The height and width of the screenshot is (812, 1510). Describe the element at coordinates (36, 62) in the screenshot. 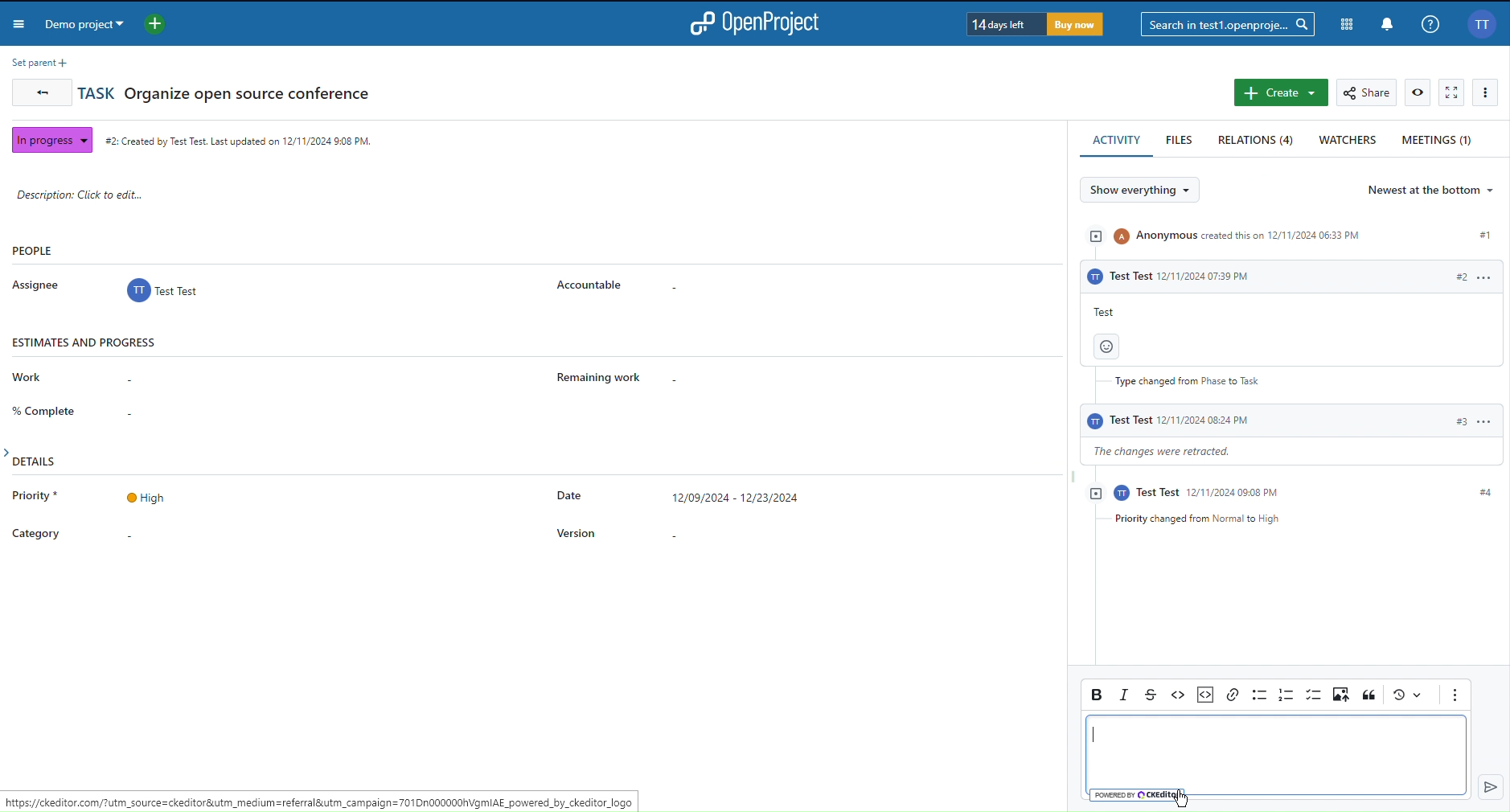

I see `Set Parent` at that location.